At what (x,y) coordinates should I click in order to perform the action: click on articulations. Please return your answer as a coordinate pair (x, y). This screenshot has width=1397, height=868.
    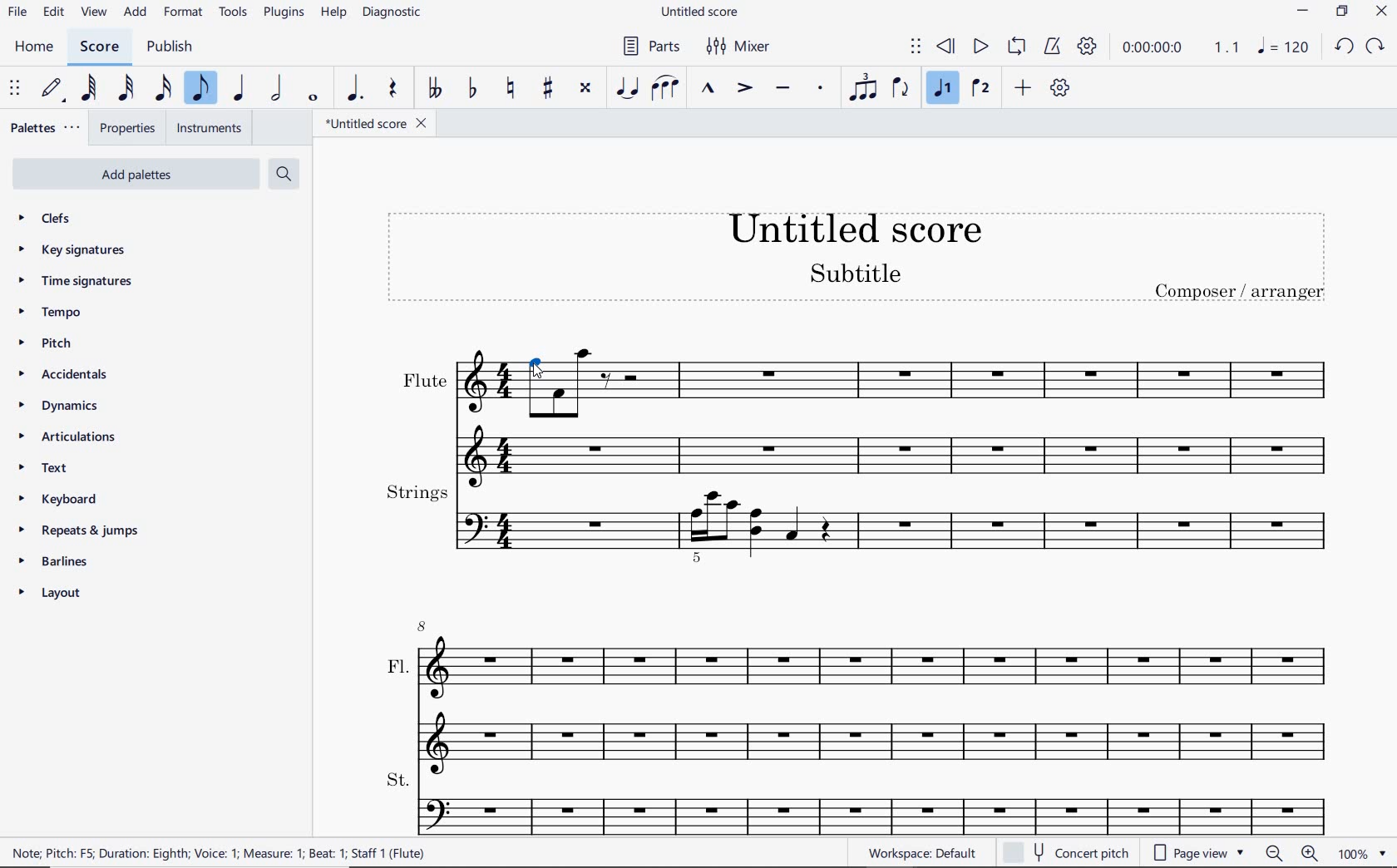
    Looking at the image, I should click on (67, 437).